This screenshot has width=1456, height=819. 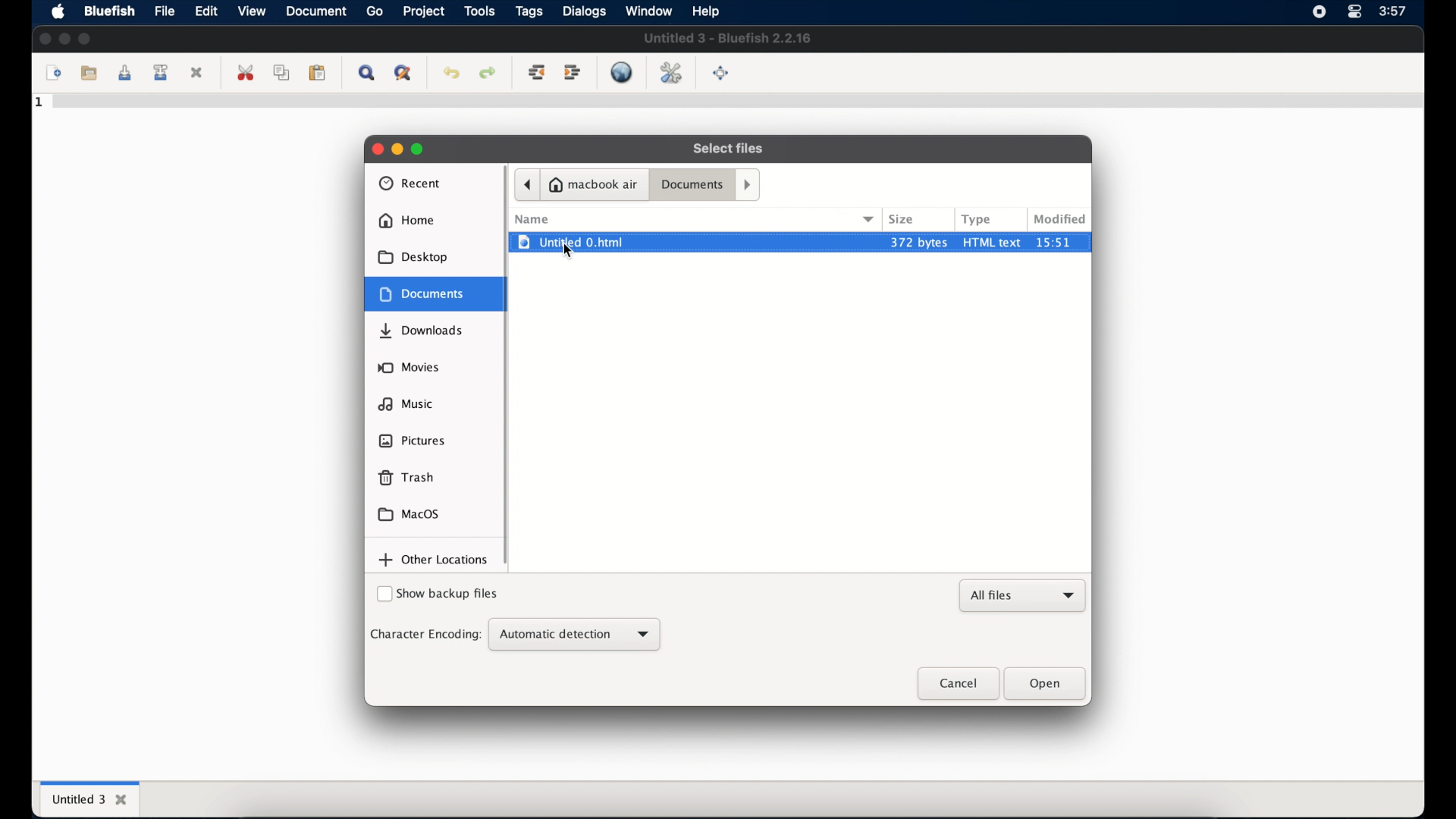 I want to click on open, so click(x=1046, y=684).